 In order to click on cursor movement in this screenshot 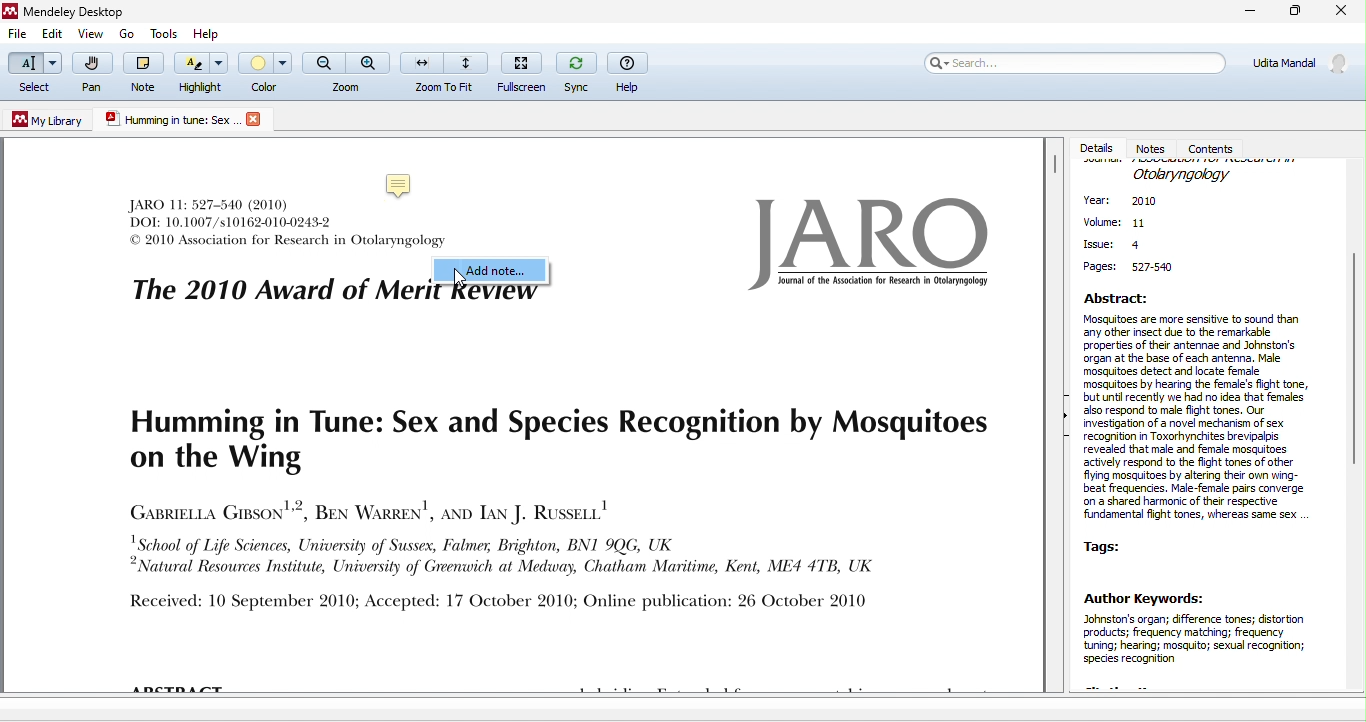, I will do `click(466, 280)`.